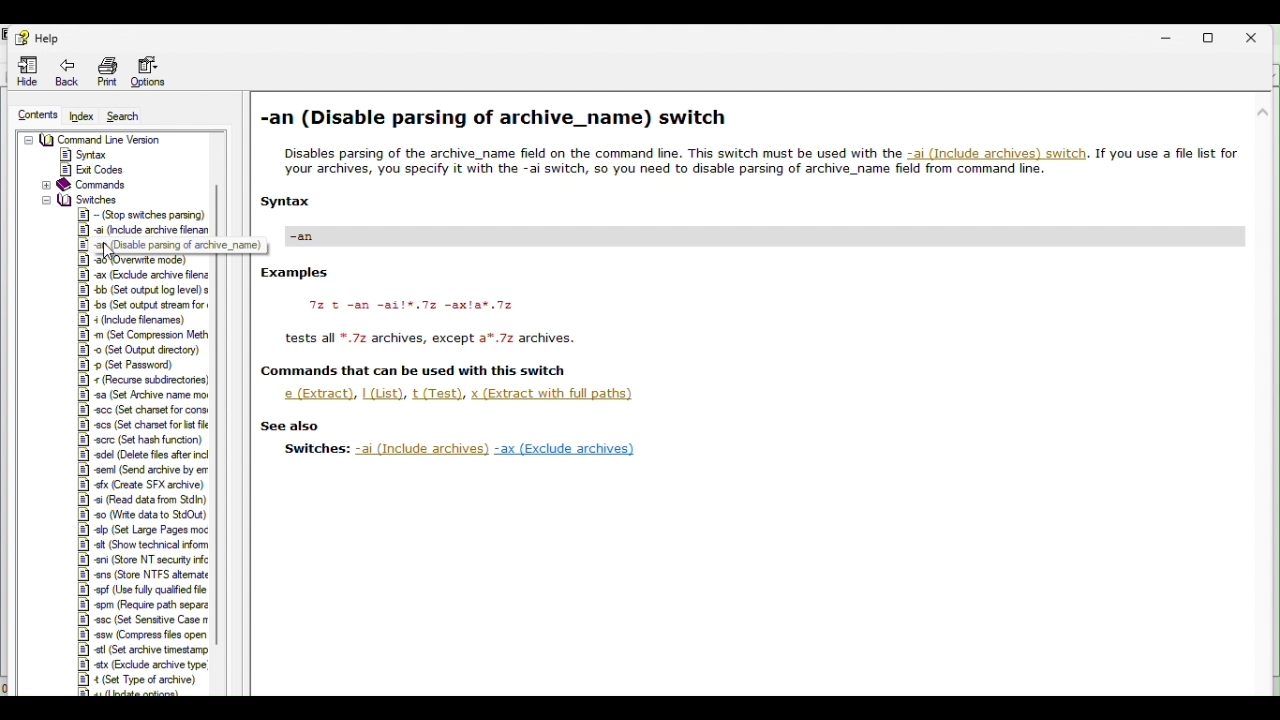  I want to click on ai (Include archives) -ax (Exclude archiv, so click(496, 450).